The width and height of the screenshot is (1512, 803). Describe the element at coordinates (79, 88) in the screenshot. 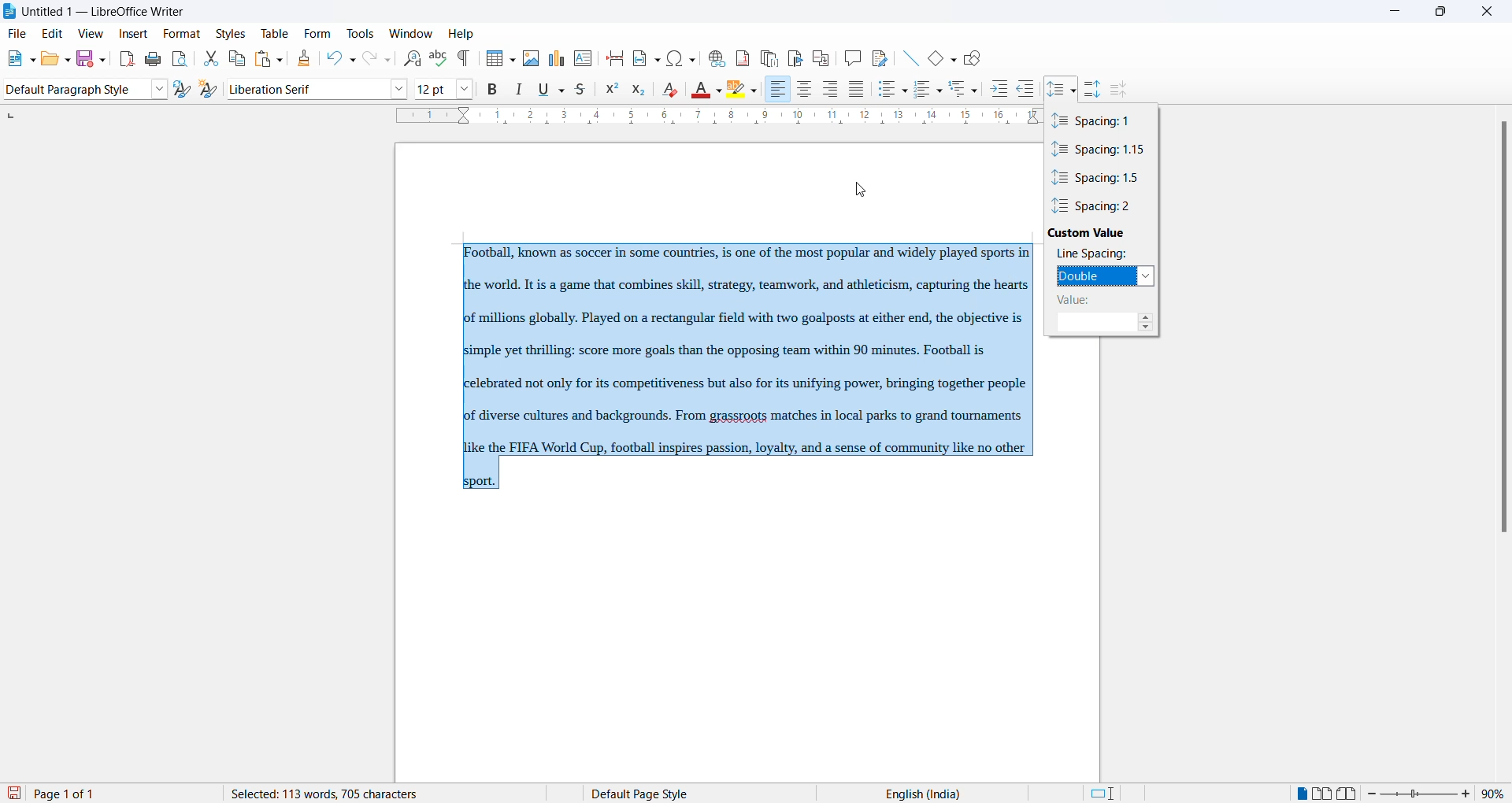

I see `paragraph style` at that location.